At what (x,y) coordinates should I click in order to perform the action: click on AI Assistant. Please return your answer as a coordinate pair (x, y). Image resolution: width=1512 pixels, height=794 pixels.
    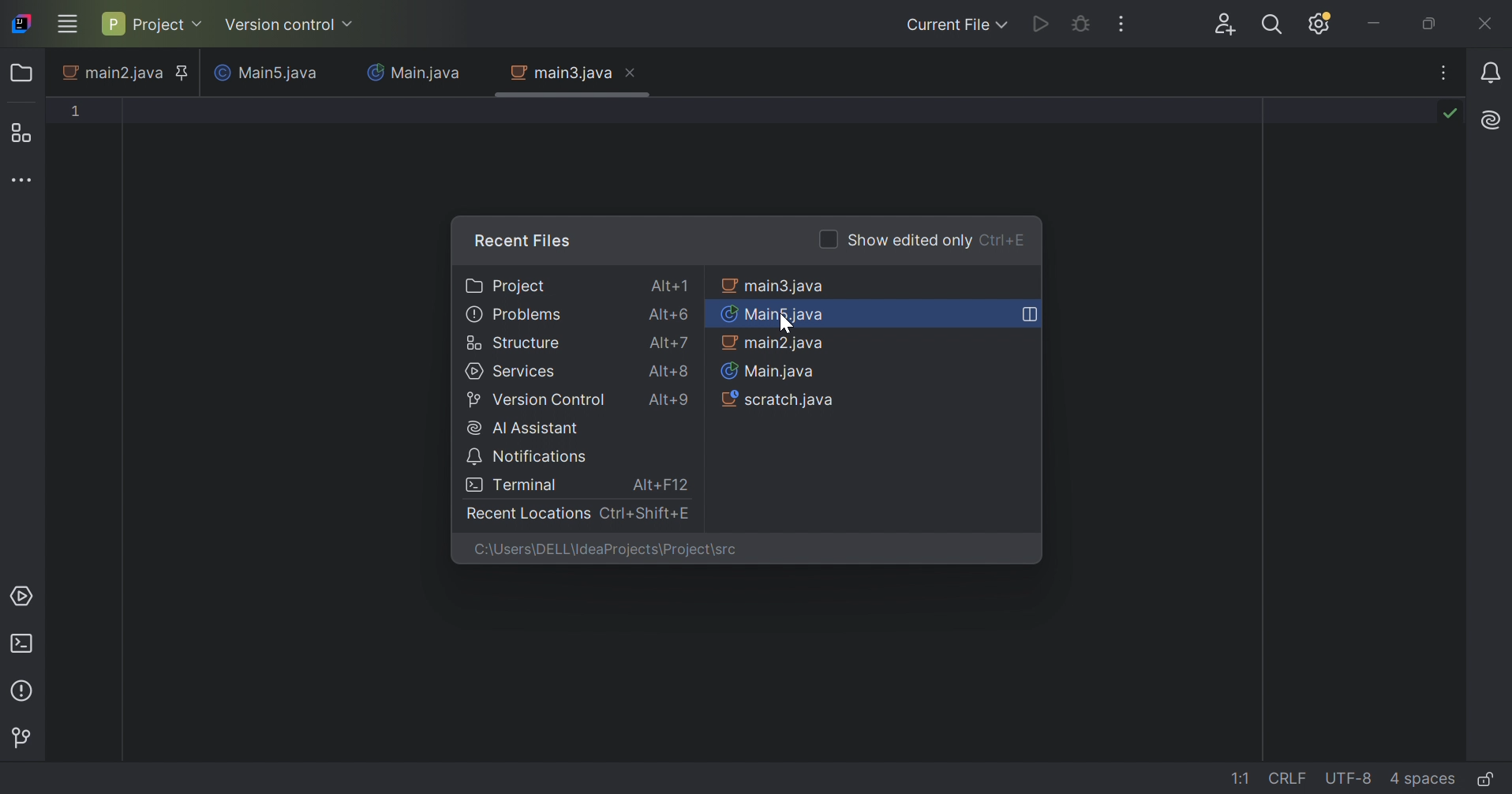
    Looking at the image, I should click on (524, 428).